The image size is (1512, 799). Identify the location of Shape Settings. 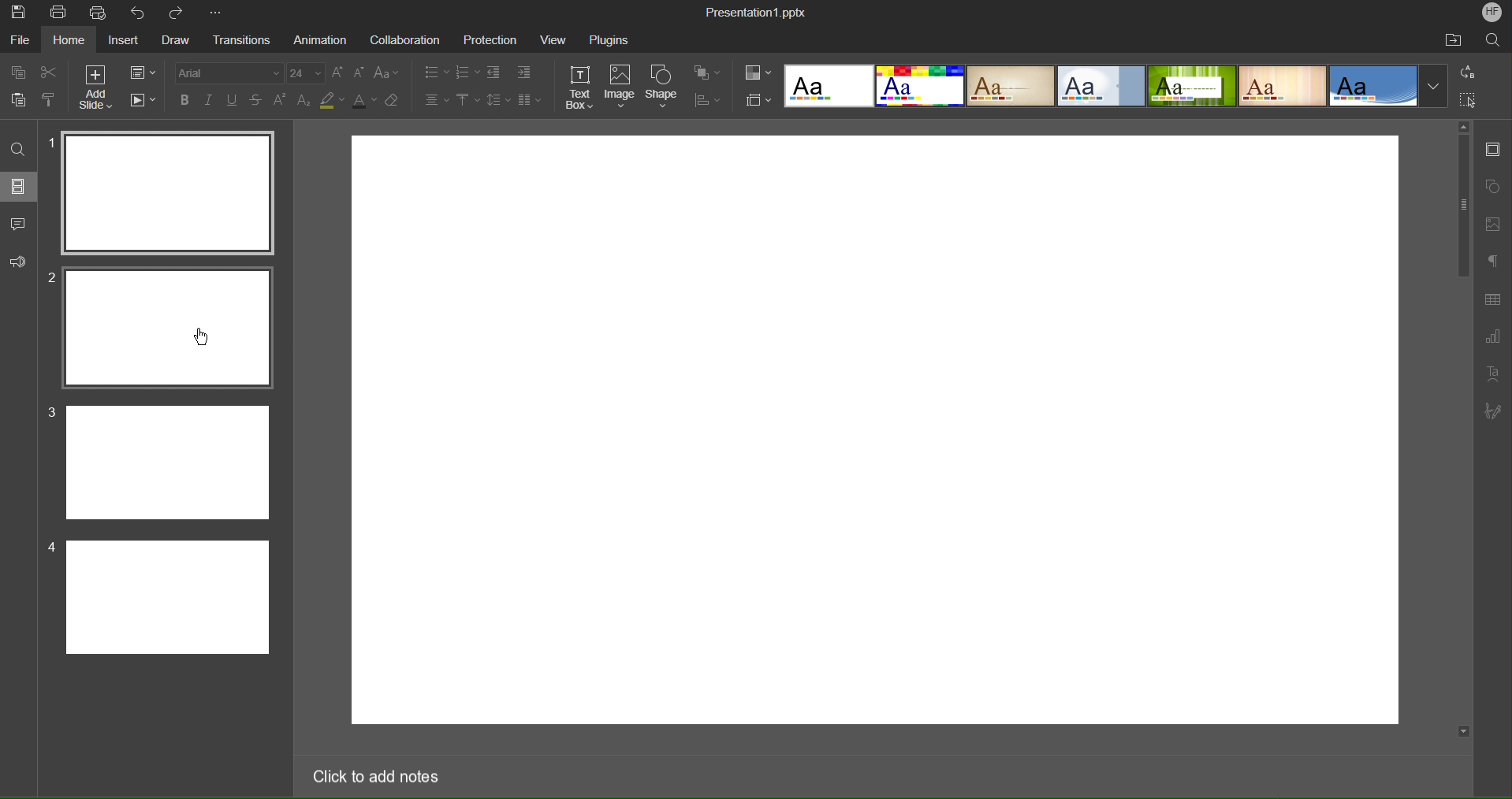
(1493, 186).